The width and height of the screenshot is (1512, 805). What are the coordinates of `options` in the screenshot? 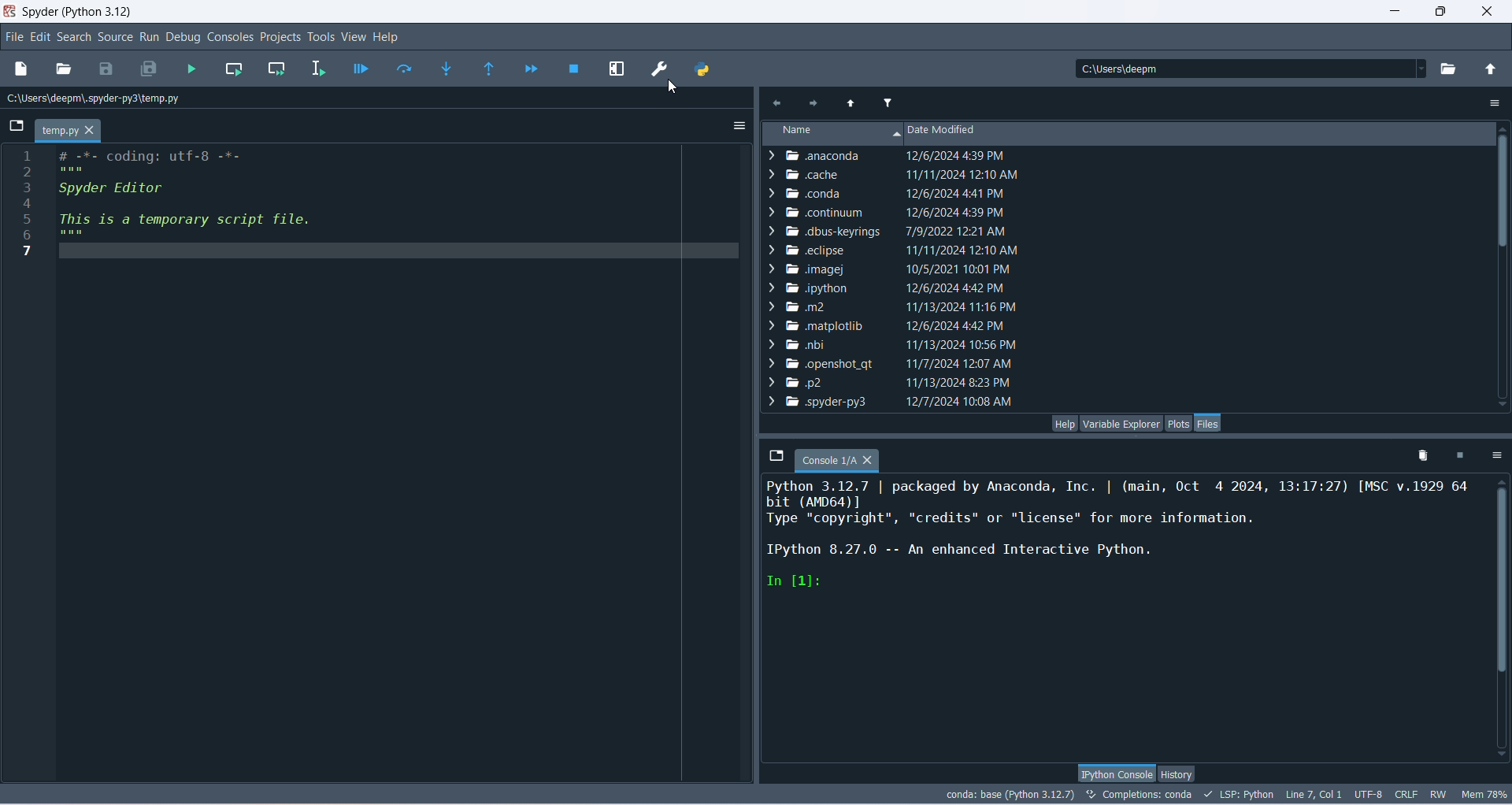 It's located at (1496, 457).